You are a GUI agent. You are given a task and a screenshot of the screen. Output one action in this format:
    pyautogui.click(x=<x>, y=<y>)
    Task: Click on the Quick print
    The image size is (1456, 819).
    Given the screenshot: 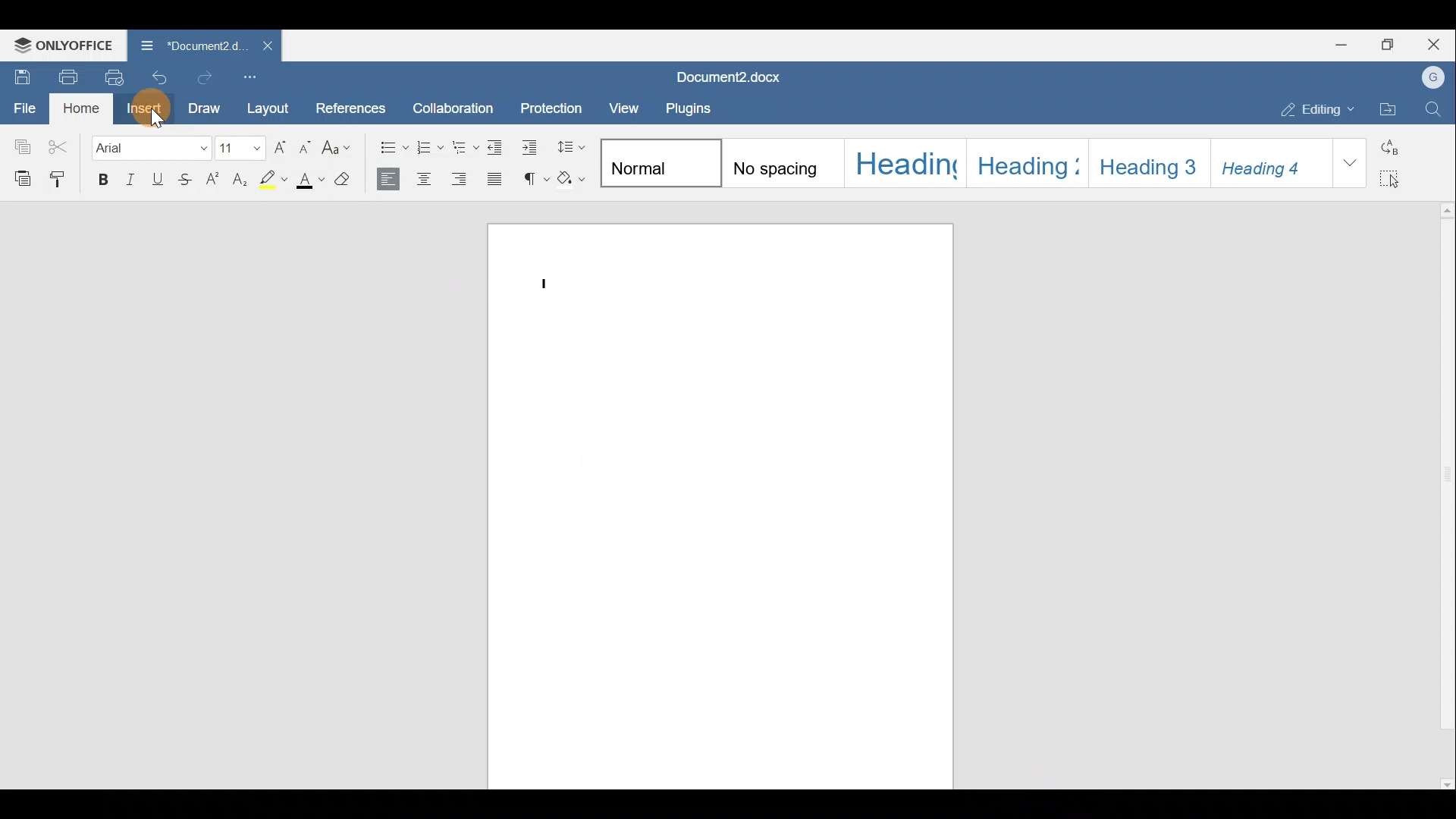 What is the action you would take?
    pyautogui.click(x=119, y=74)
    